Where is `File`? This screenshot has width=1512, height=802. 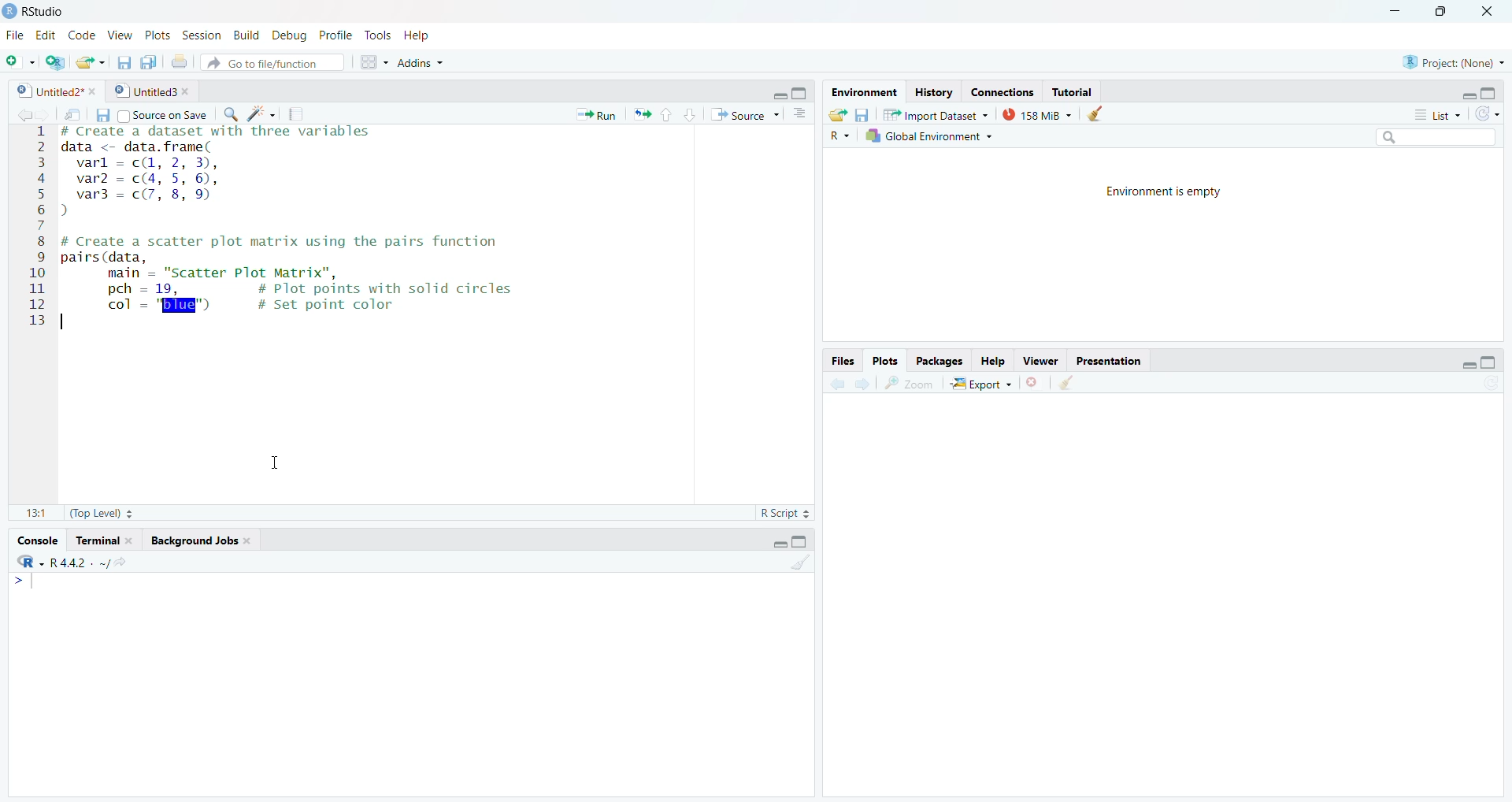 File is located at coordinates (15, 33).